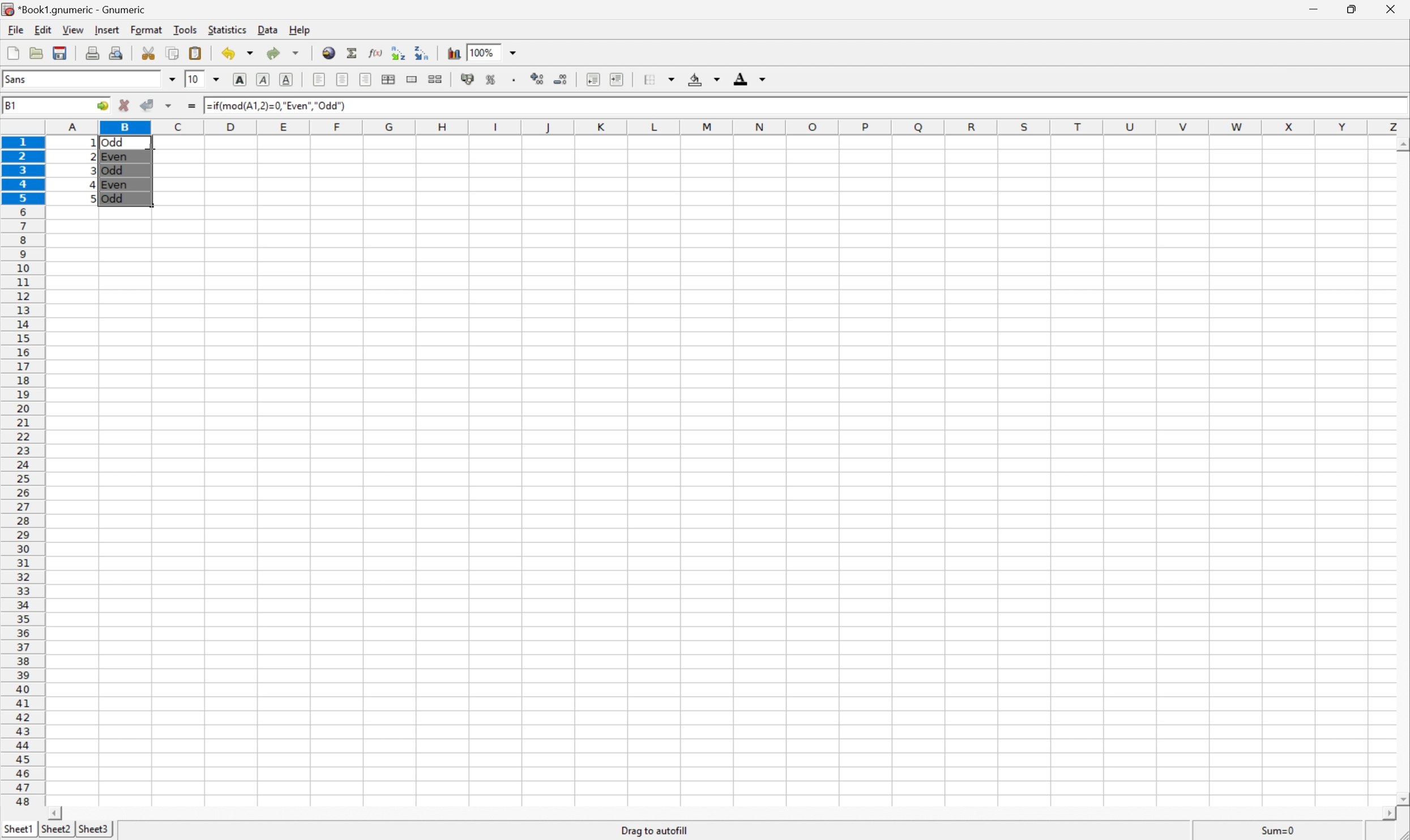  I want to click on Minimize, so click(1316, 8).